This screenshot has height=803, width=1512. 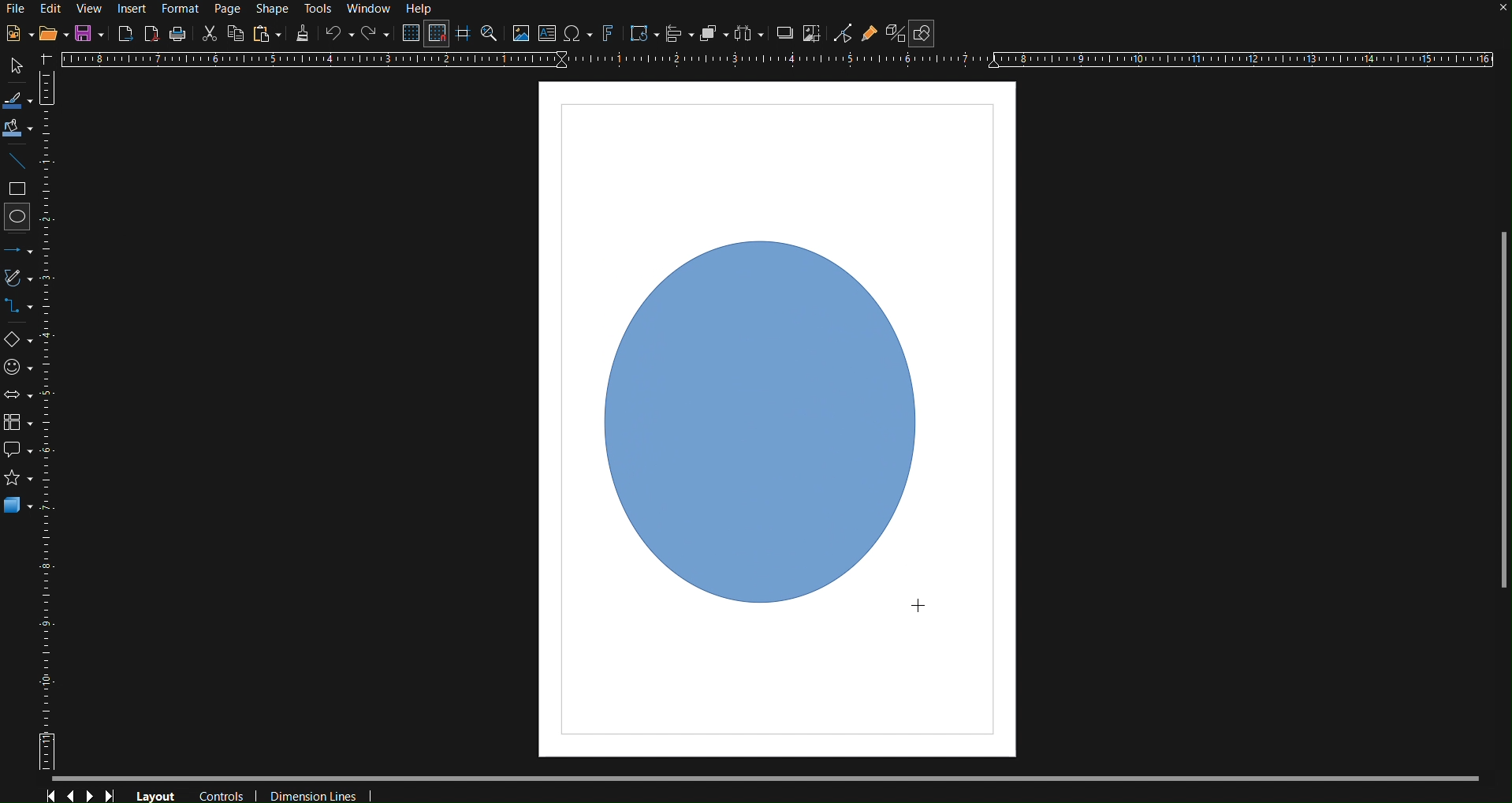 What do you see at coordinates (893, 35) in the screenshot?
I see `Toggle Extrusion` at bounding box center [893, 35].